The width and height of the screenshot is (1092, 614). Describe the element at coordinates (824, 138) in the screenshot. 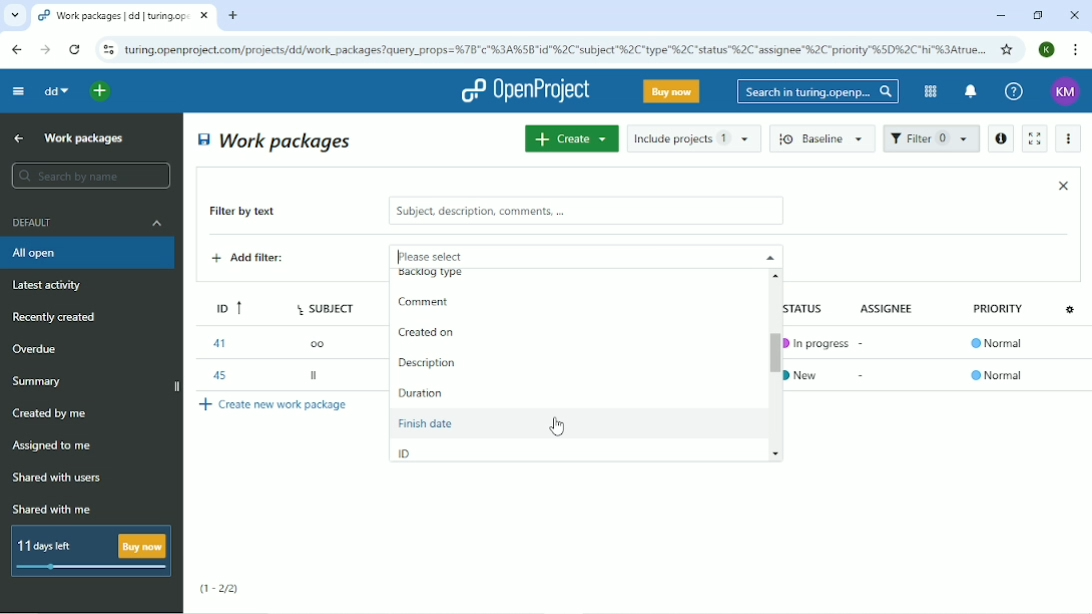

I see `Baseline` at that location.